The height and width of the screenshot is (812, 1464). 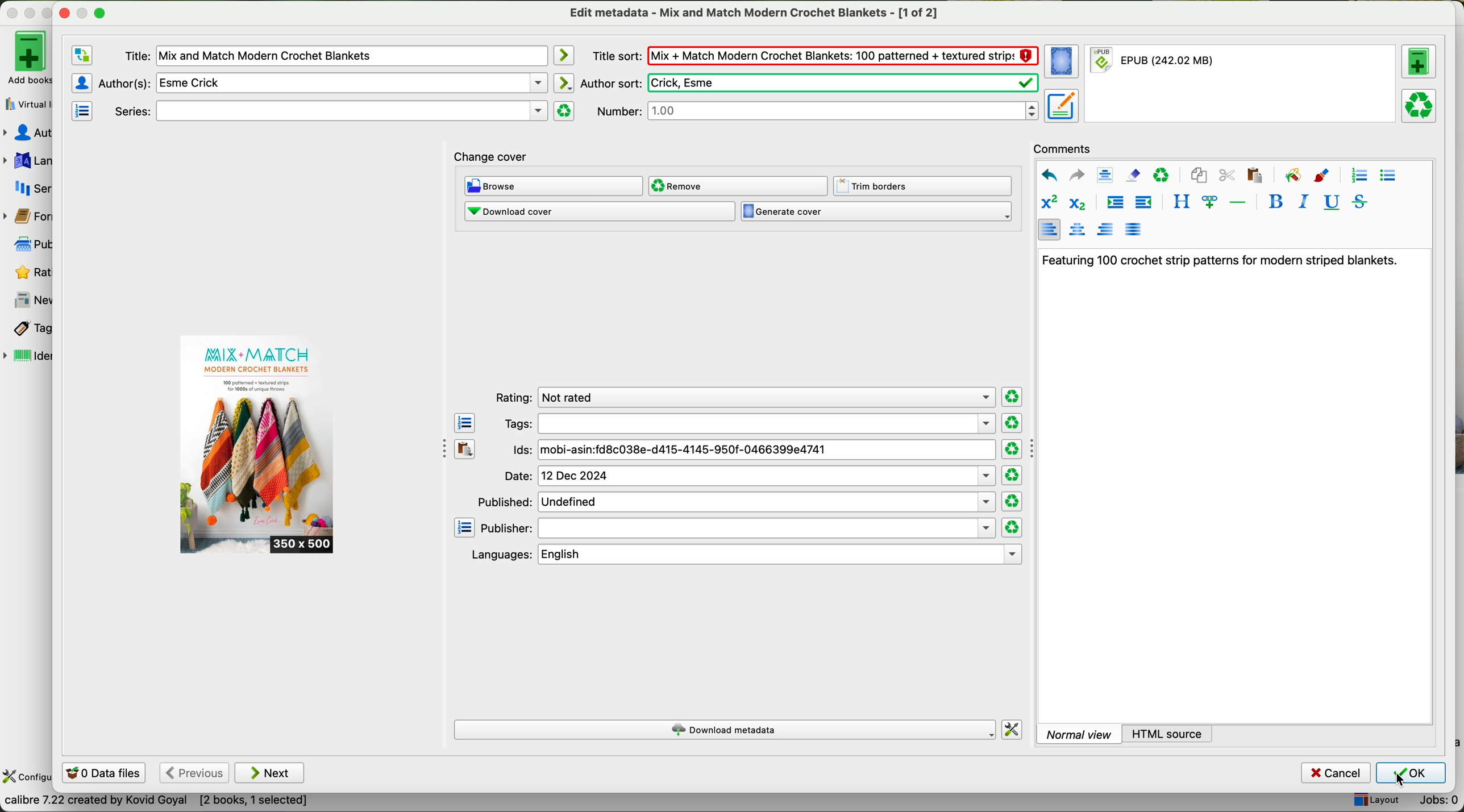 What do you see at coordinates (27, 133) in the screenshot?
I see `authors` at bounding box center [27, 133].